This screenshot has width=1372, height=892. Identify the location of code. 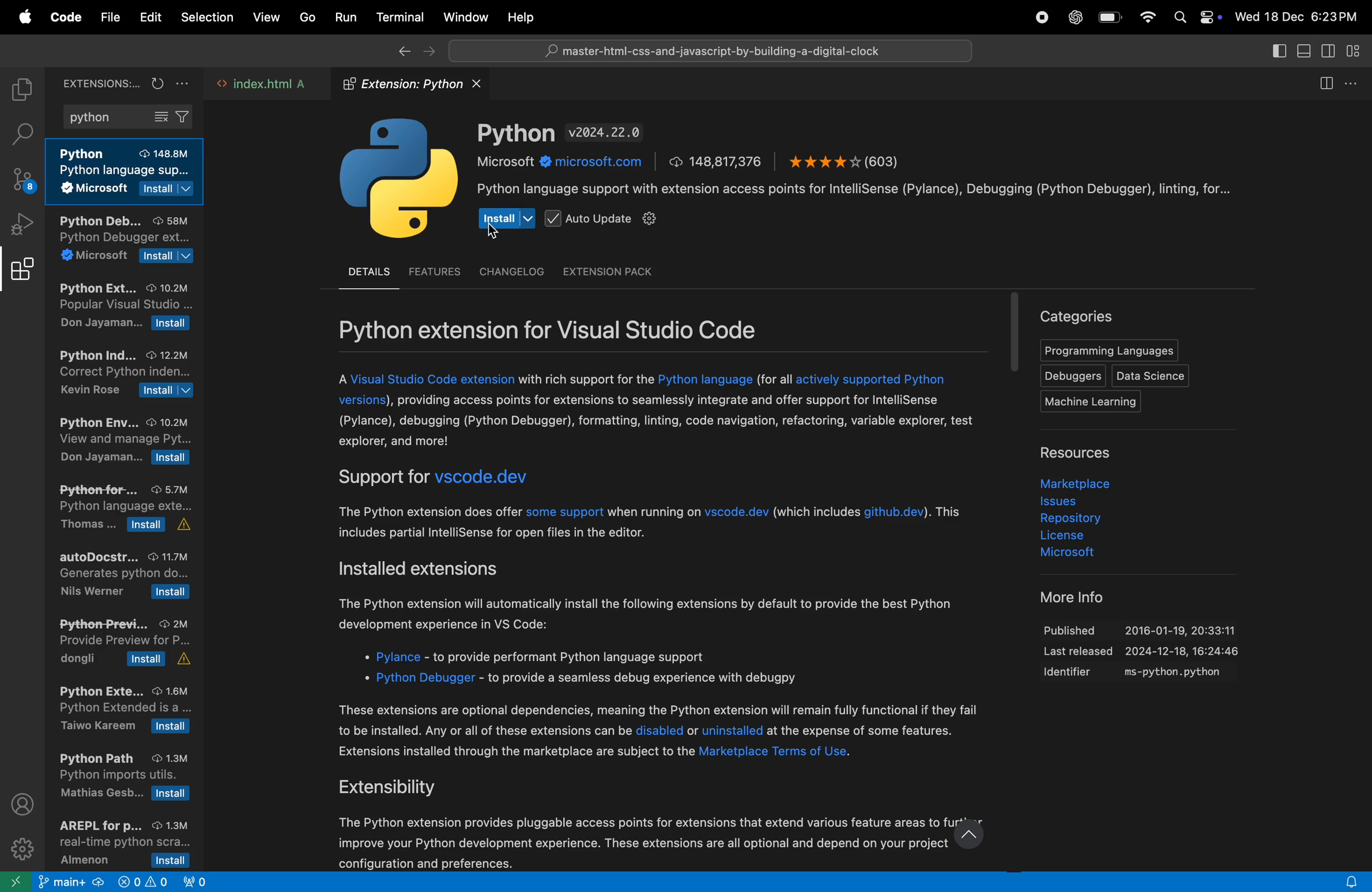
(64, 18).